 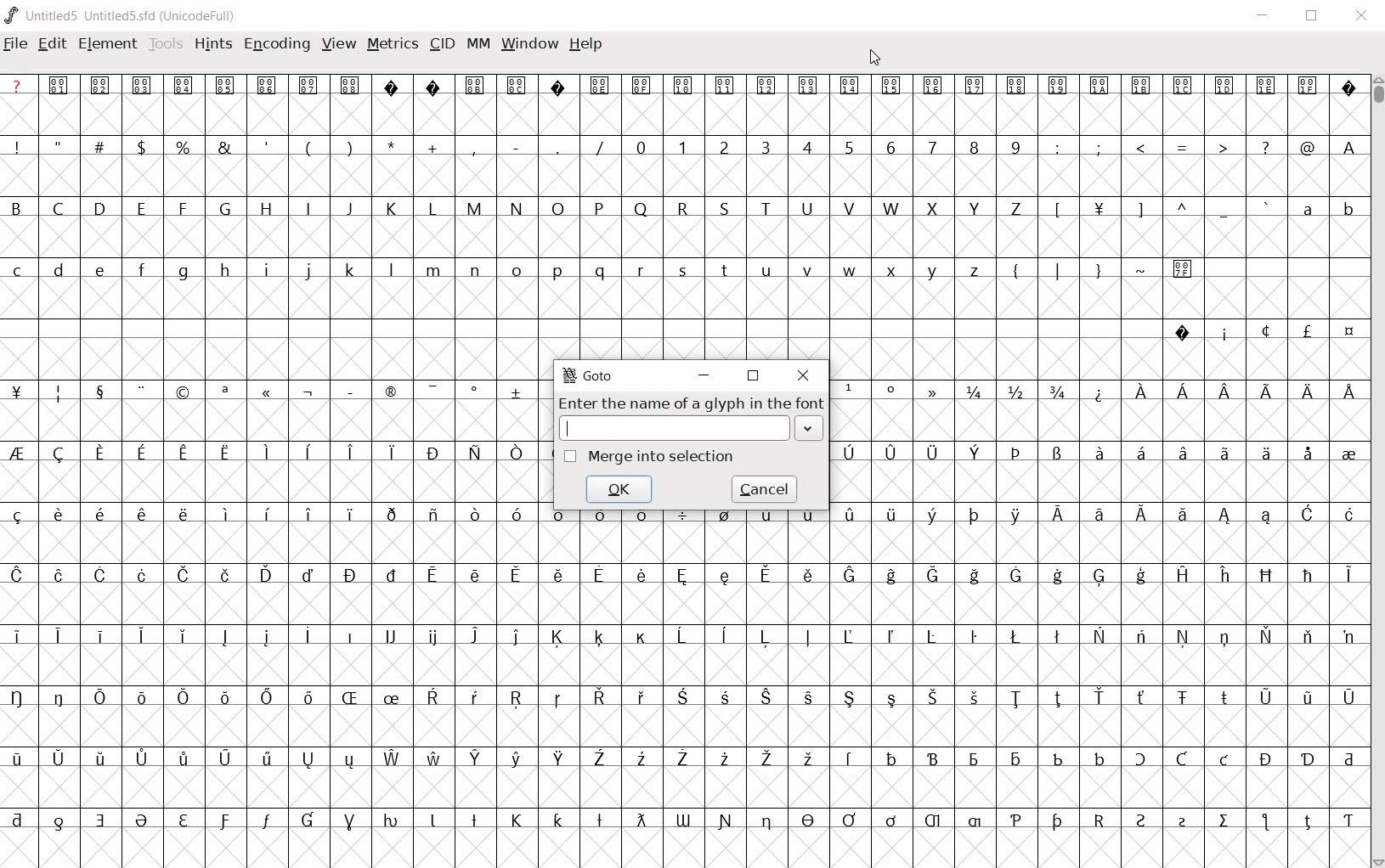 I want to click on Symbol, so click(x=848, y=635).